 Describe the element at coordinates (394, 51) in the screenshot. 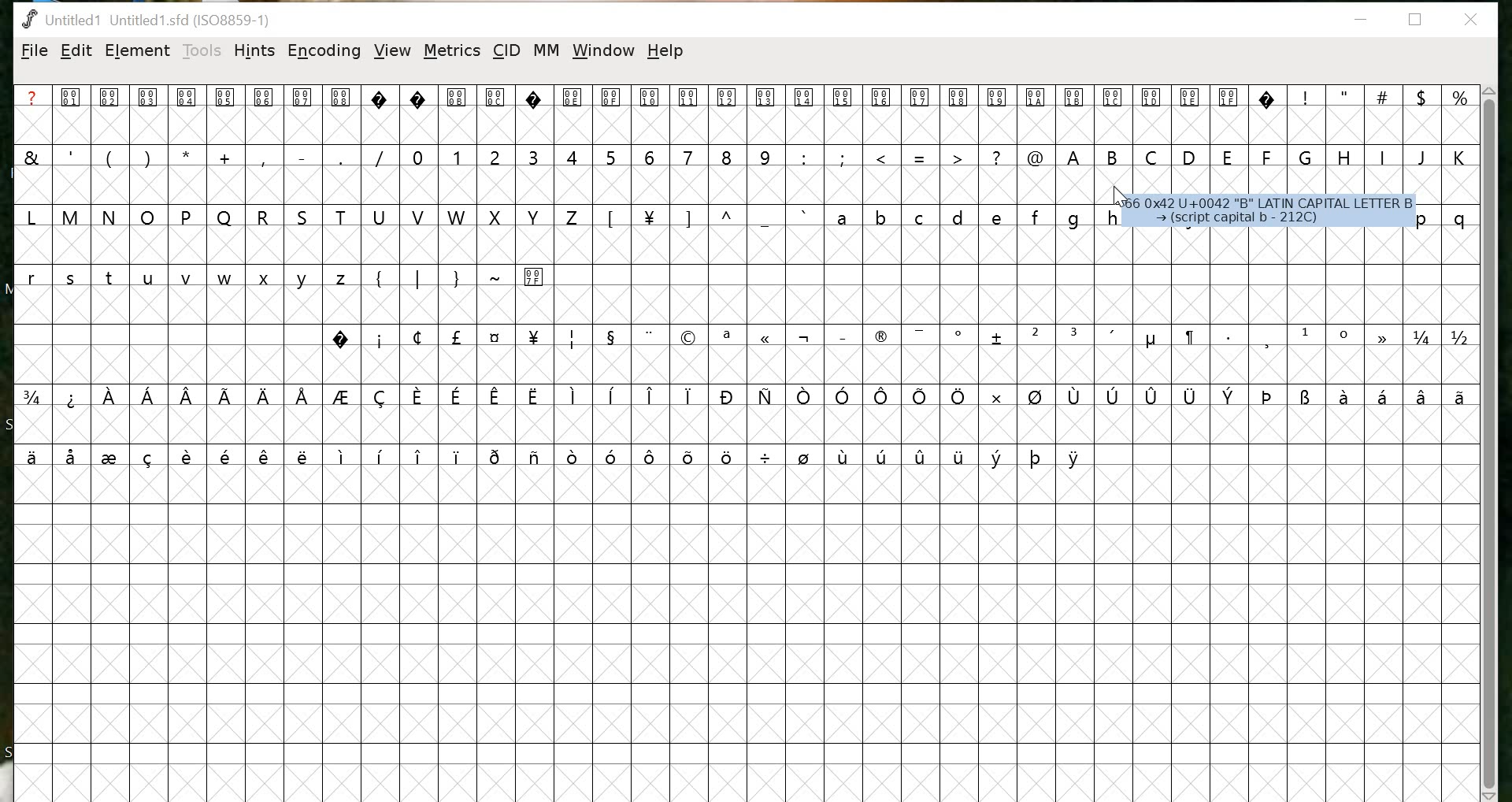

I see `VIEW` at that location.